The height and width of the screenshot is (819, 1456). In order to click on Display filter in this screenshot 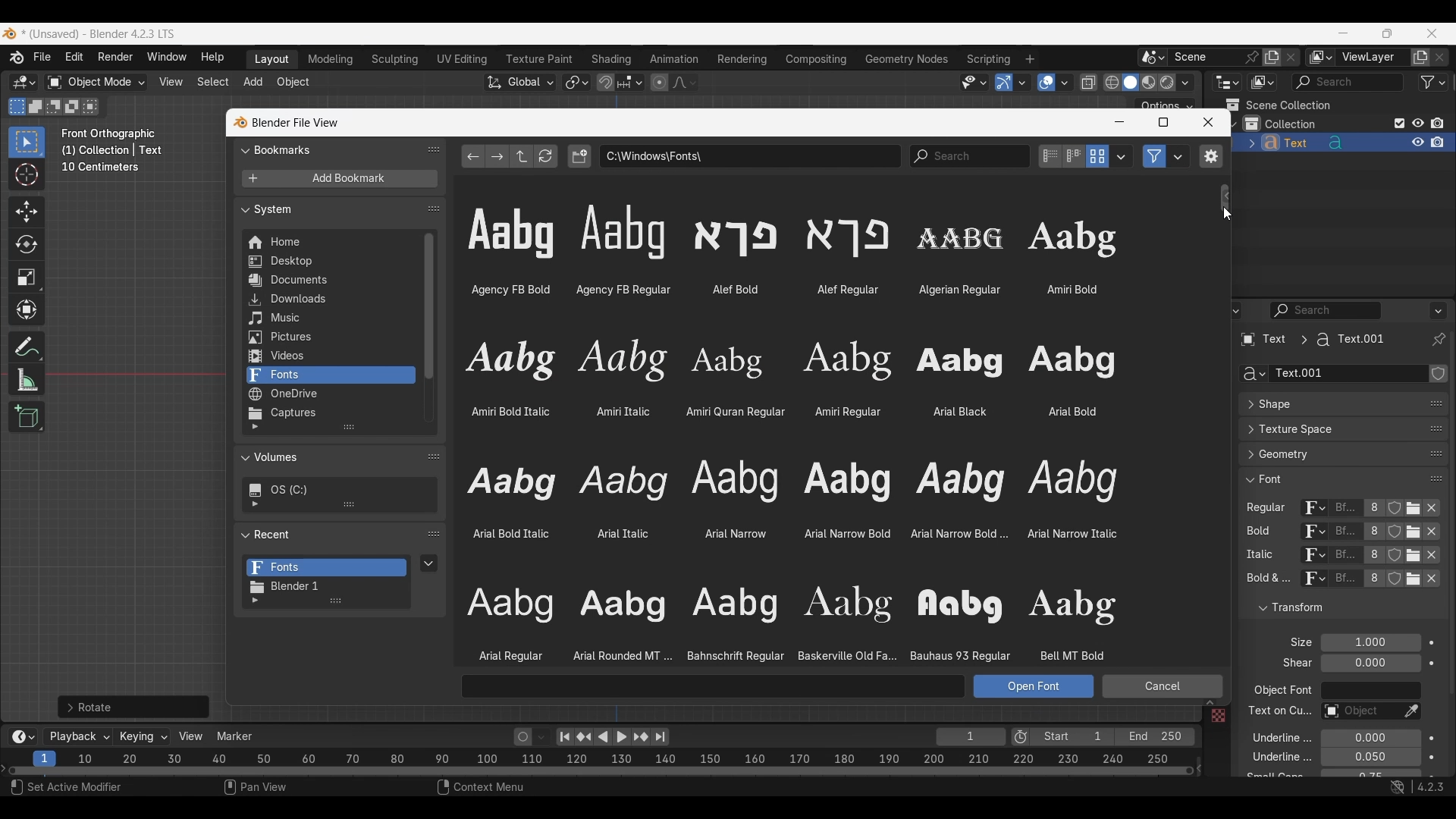, I will do `click(1326, 310)`.